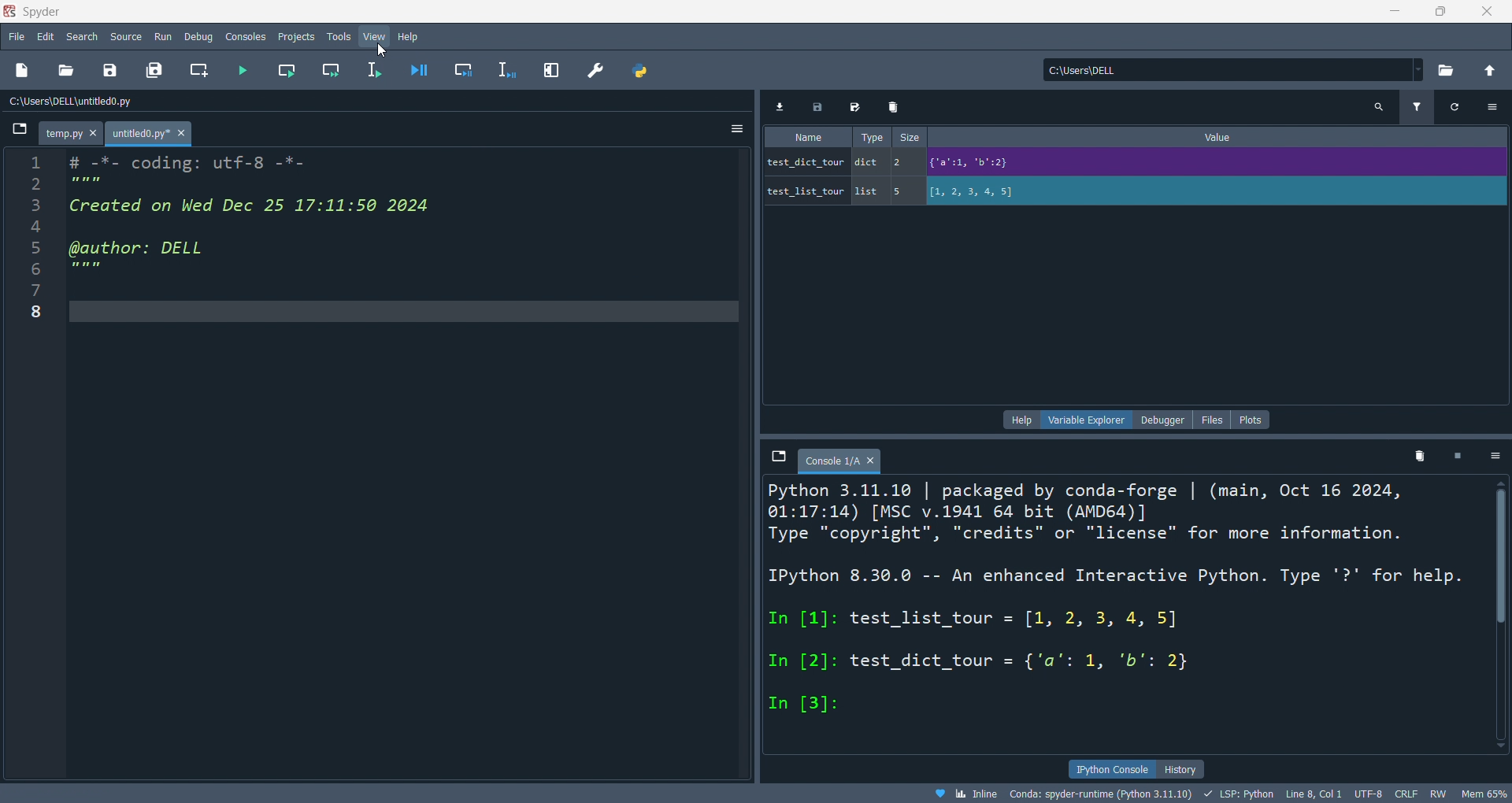  What do you see at coordinates (1492, 109) in the screenshot?
I see `options` at bounding box center [1492, 109].